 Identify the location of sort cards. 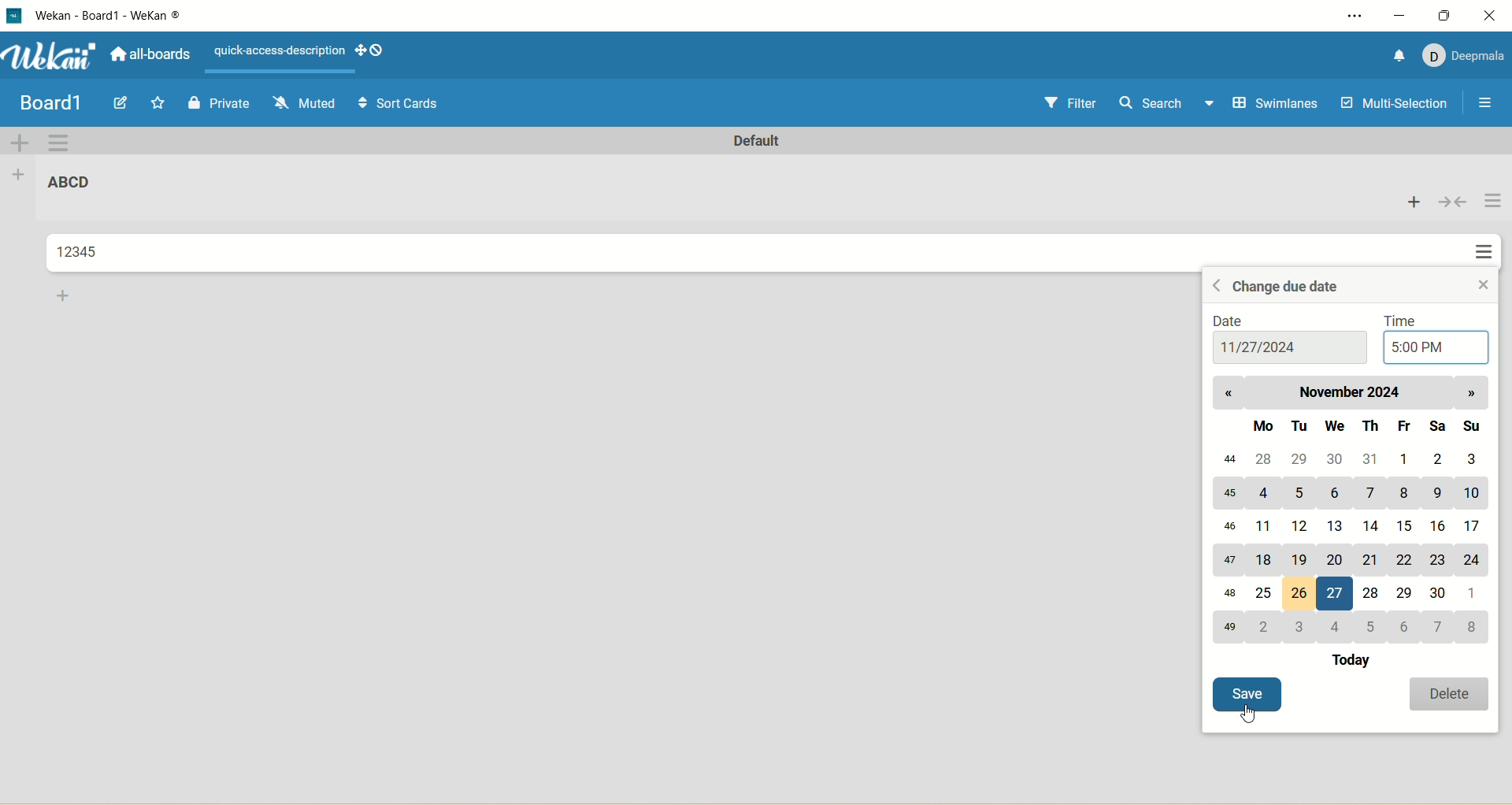
(402, 103).